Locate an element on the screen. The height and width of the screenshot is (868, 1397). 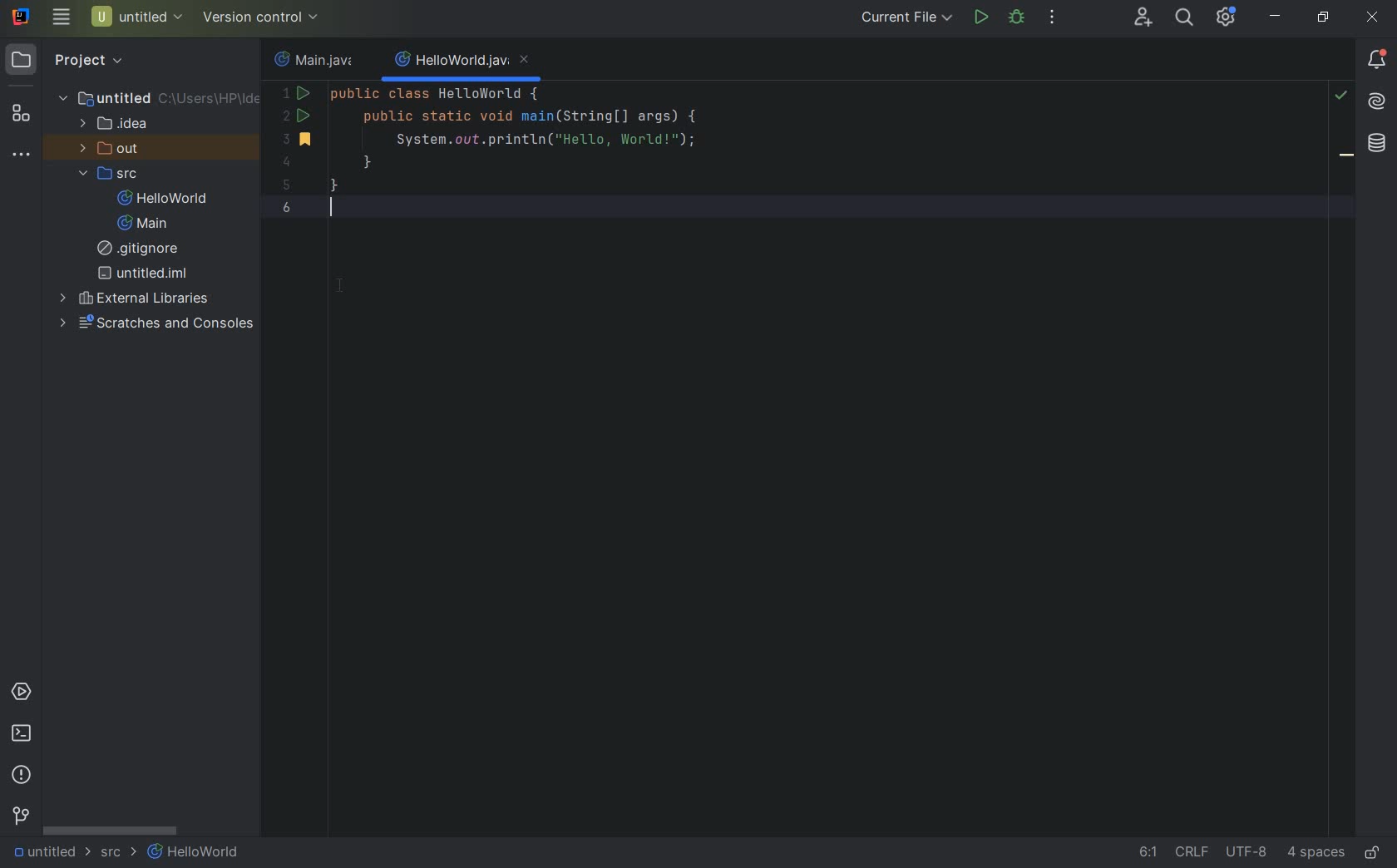
AI assistant is located at coordinates (1377, 104).